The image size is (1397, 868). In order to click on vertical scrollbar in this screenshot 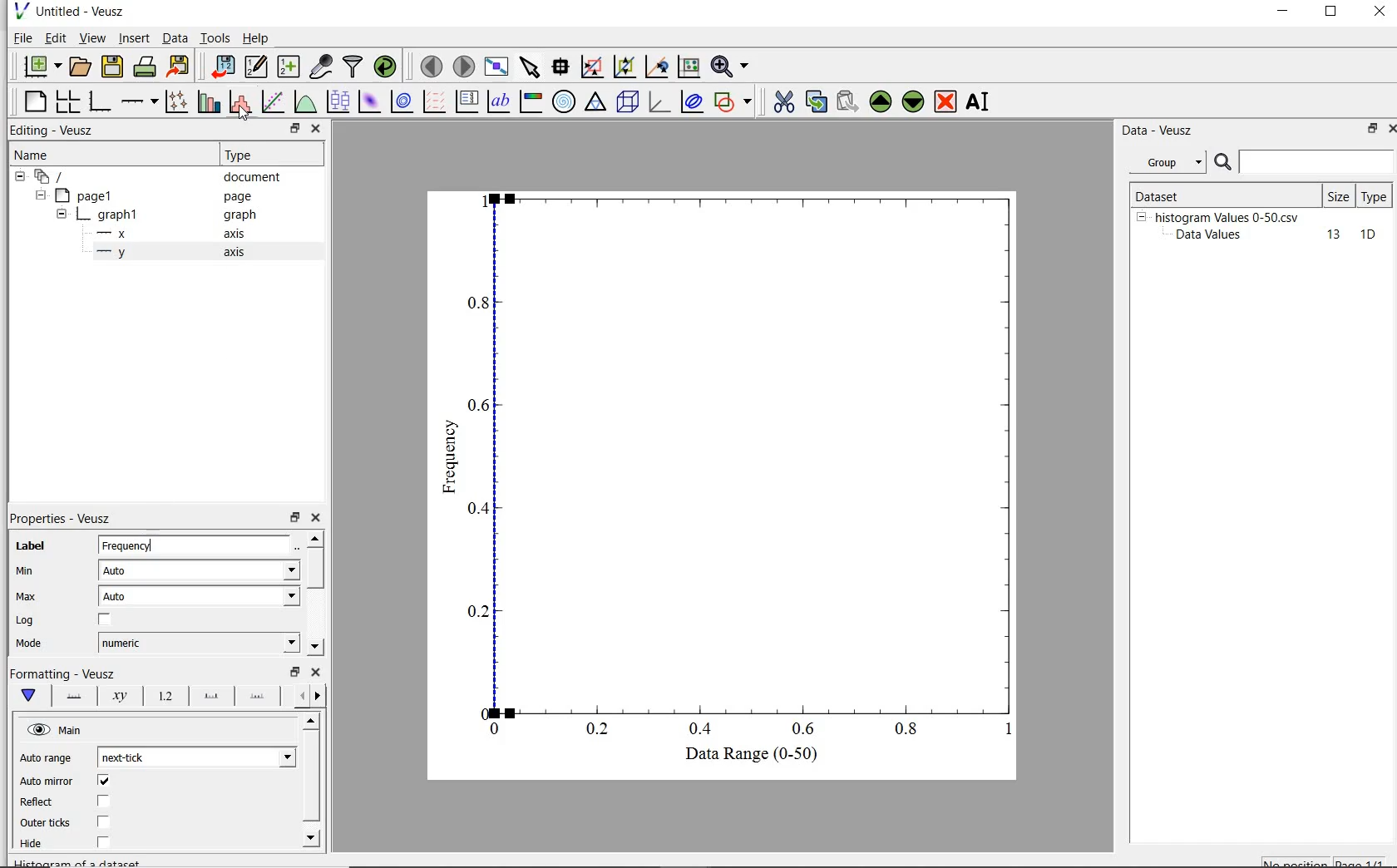, I will do `click(310, 777)`.